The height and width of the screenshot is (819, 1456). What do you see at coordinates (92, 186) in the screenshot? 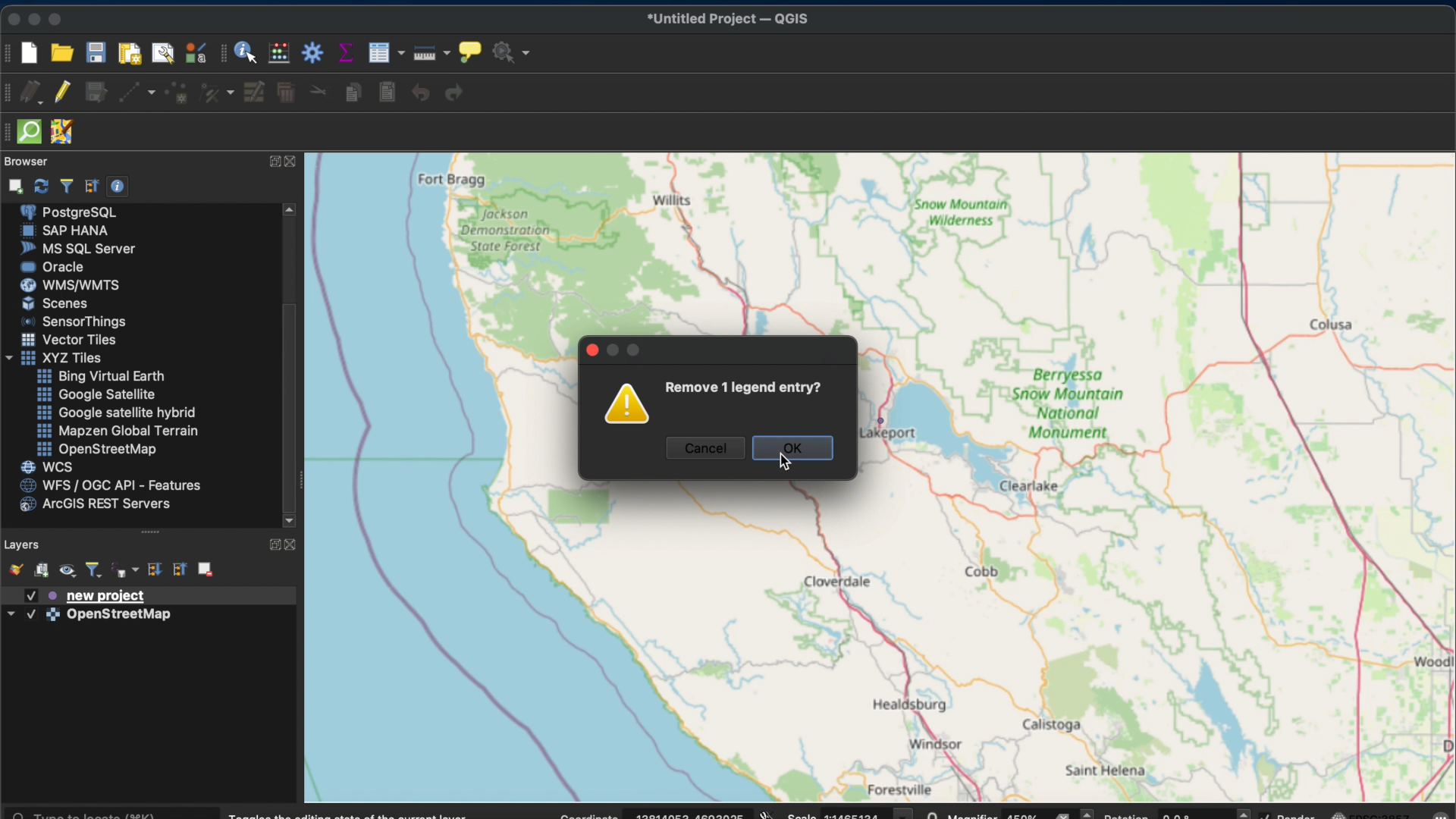
I see `collapse all` at bounding box center [92, 186].